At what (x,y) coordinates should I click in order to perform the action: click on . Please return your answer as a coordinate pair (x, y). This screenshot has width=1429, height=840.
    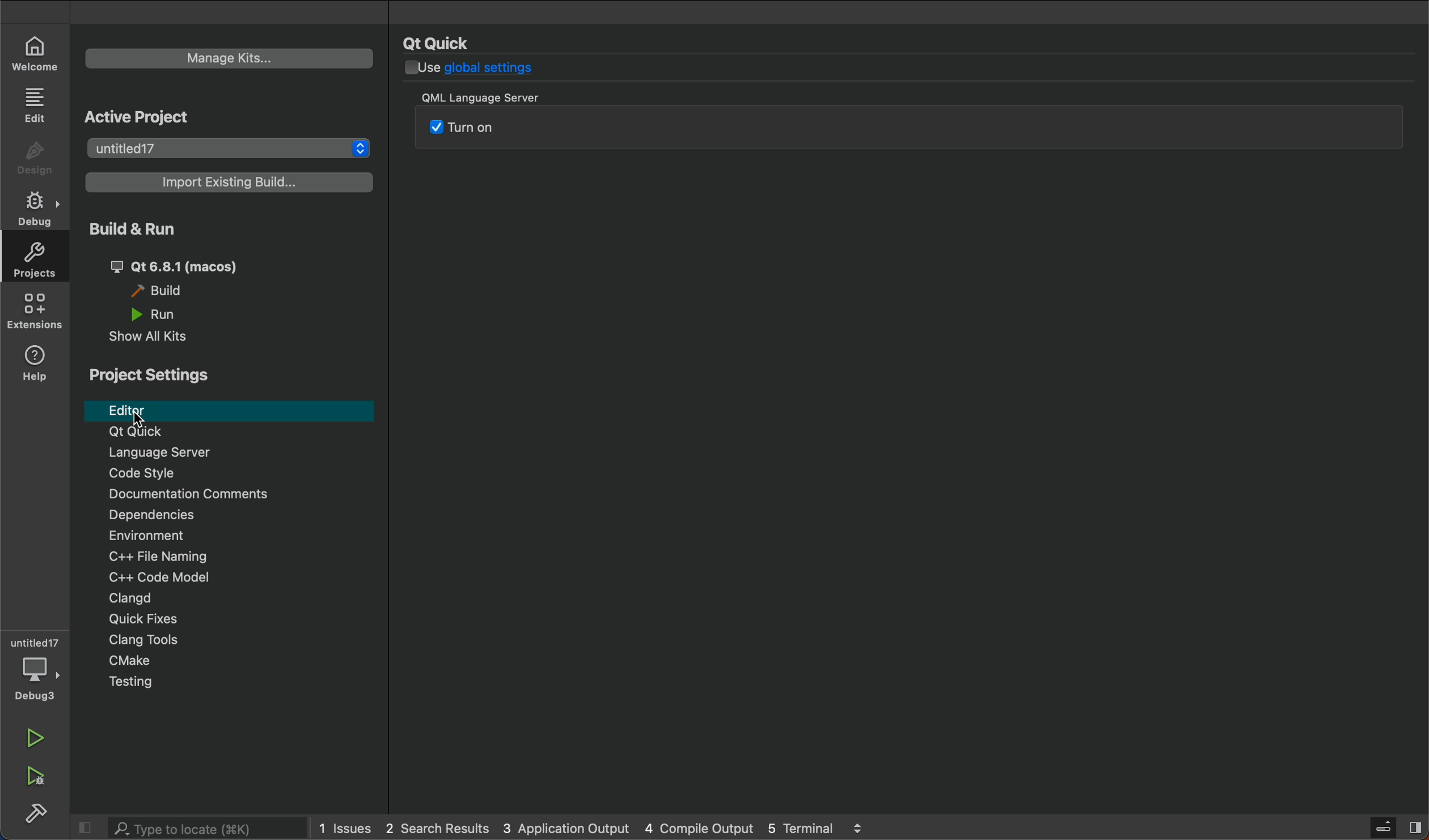
    Looking at the image, I should click on (216, 683).